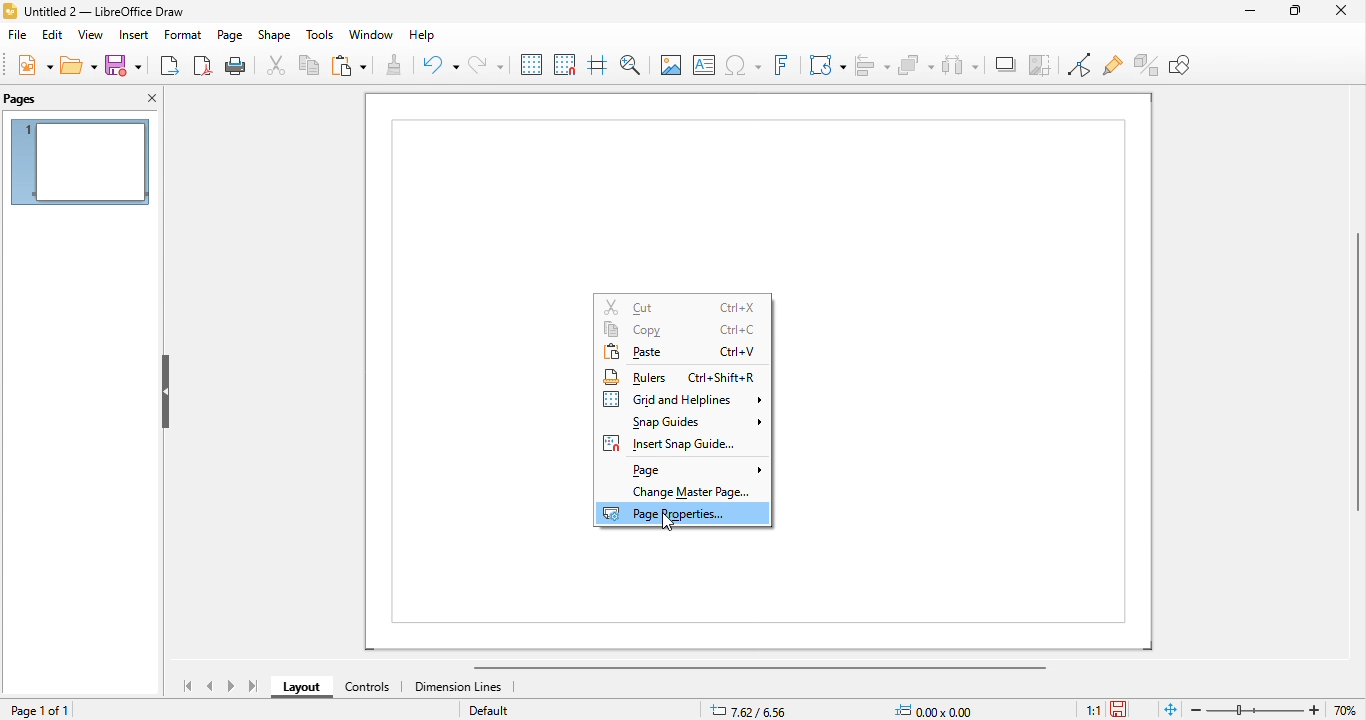  Describe the element at coordinates (253, 687) in the screenshot. I see `last page` at that location.